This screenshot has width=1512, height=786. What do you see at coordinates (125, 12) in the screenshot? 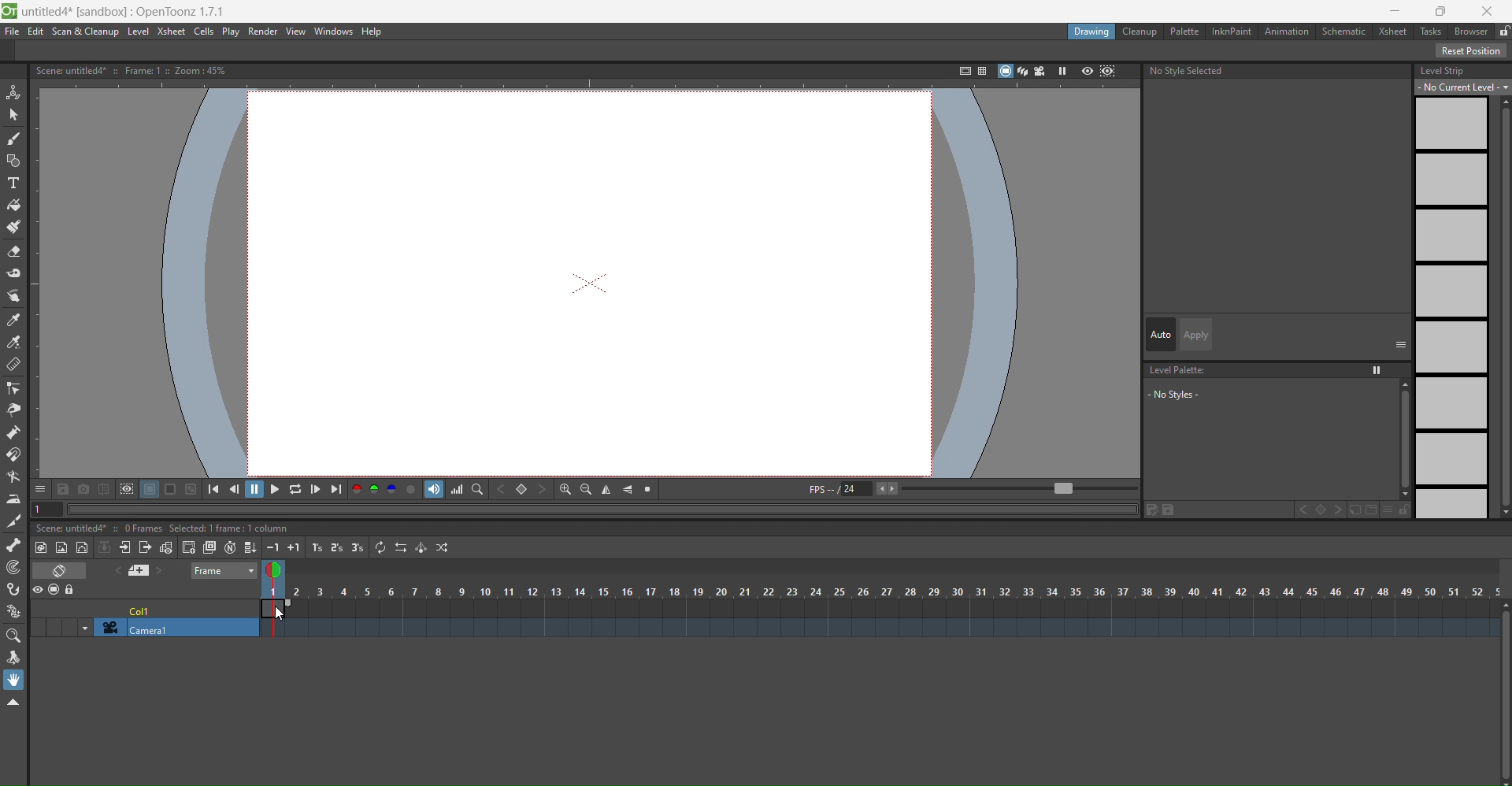
I see `file name app name and version` at bounding box center [125, 12].